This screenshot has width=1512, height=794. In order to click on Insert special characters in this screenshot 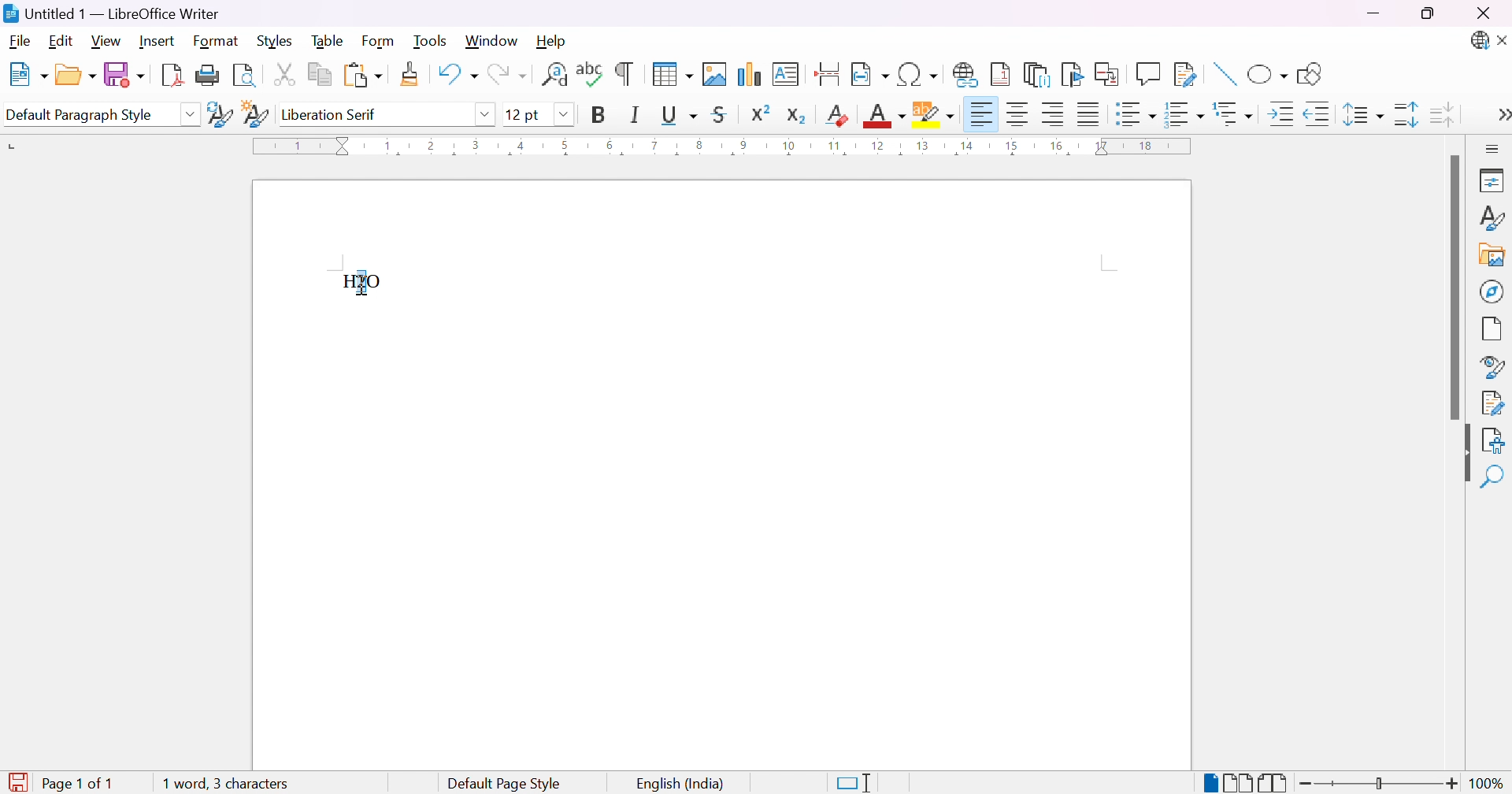, I will do `click(919, 75)`.